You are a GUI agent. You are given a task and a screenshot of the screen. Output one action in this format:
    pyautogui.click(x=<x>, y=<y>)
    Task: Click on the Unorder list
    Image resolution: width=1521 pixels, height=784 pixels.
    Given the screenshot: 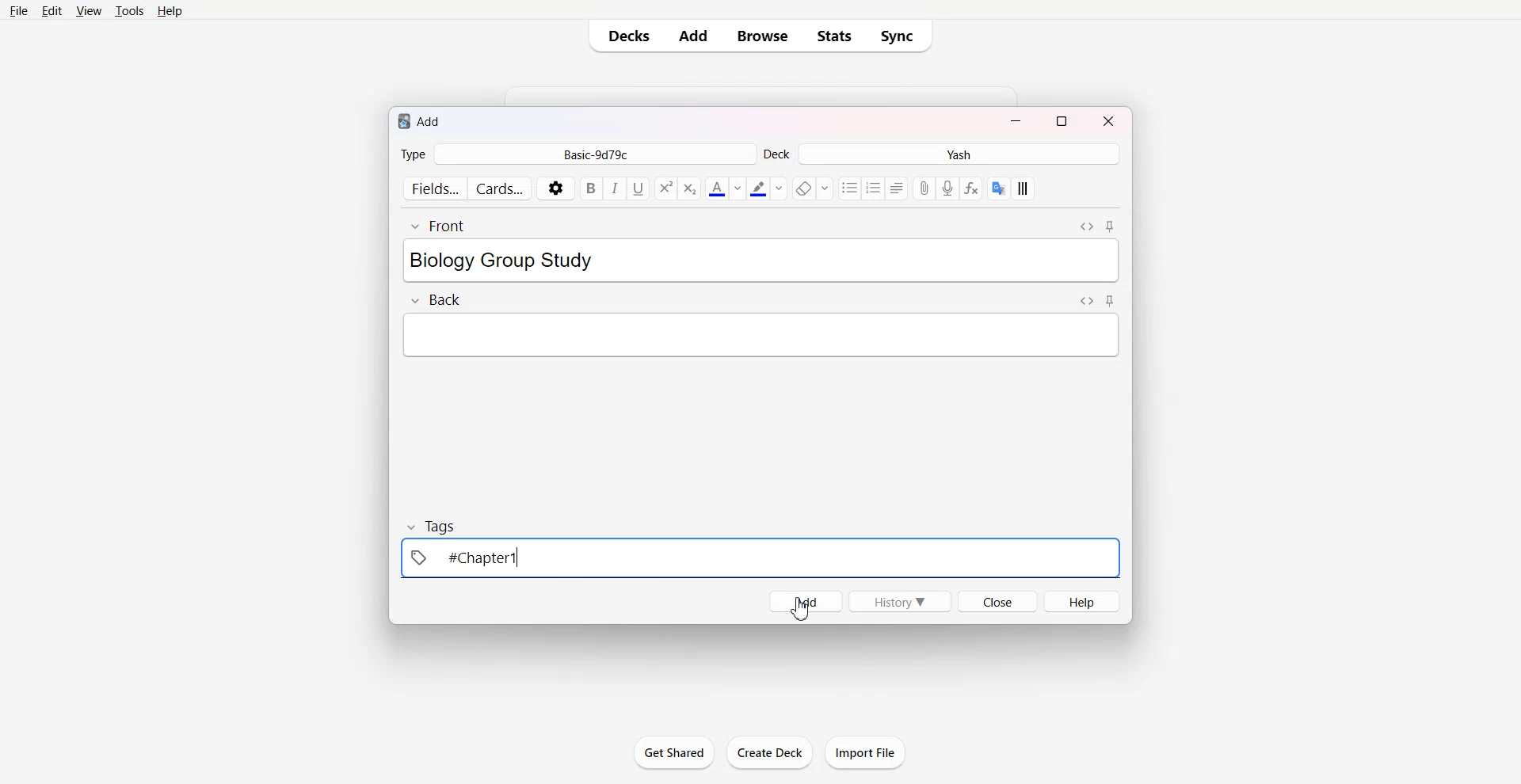 What is the action you would take?
    pyautogui.click(x=850, y=188)
    